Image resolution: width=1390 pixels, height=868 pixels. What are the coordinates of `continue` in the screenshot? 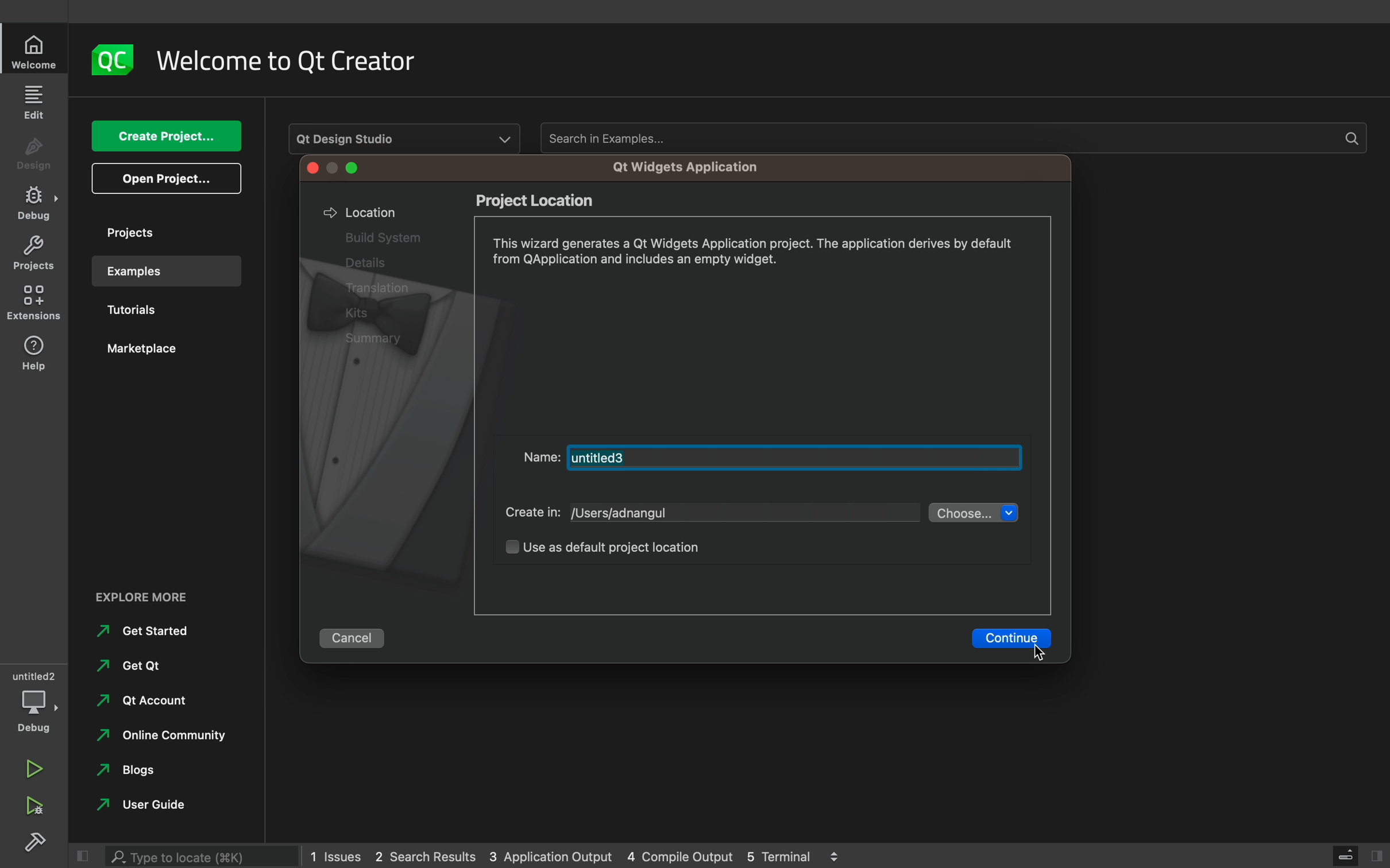 It's located at (1008, 637).